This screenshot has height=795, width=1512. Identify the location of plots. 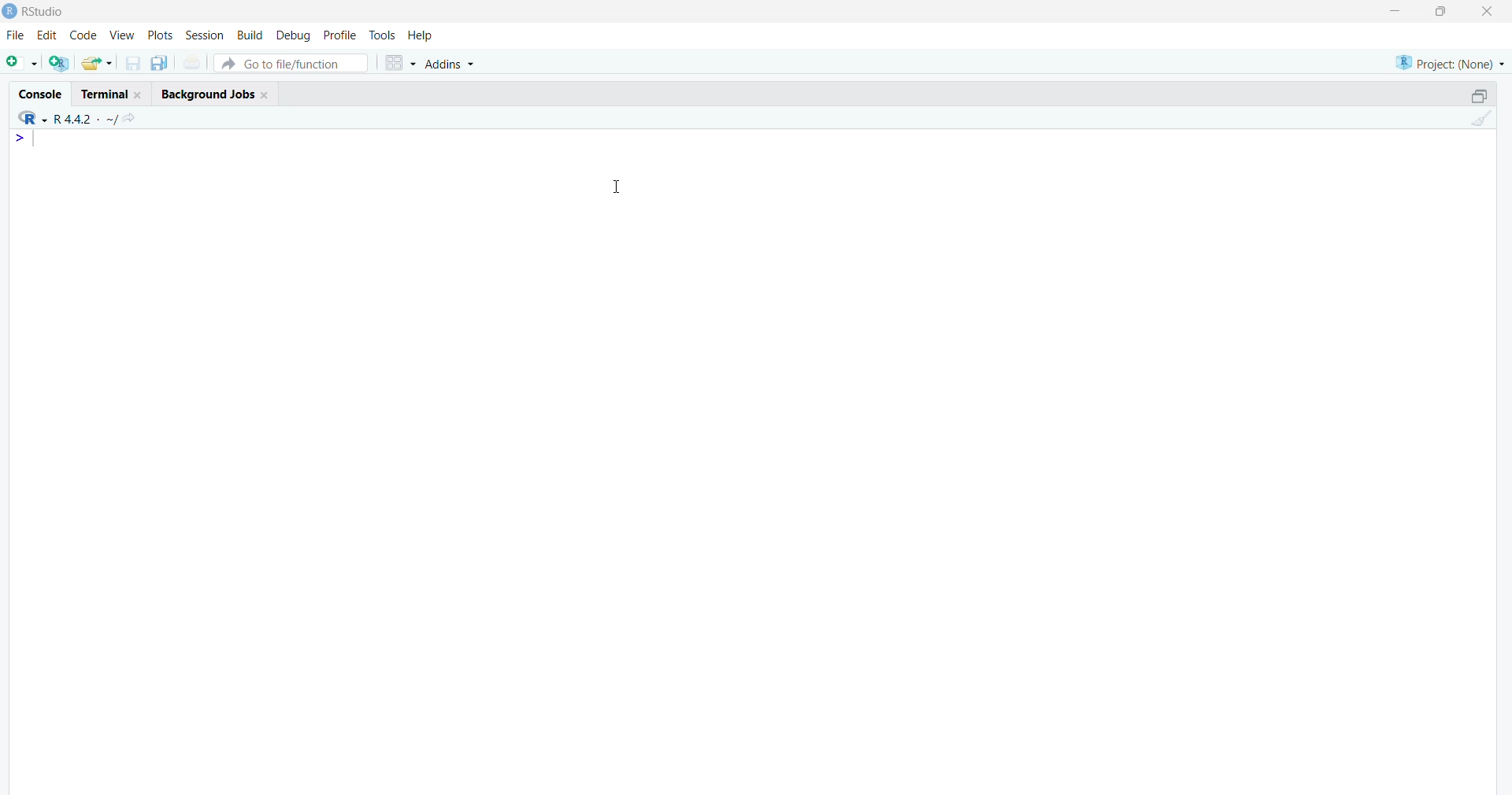
(158, 34).